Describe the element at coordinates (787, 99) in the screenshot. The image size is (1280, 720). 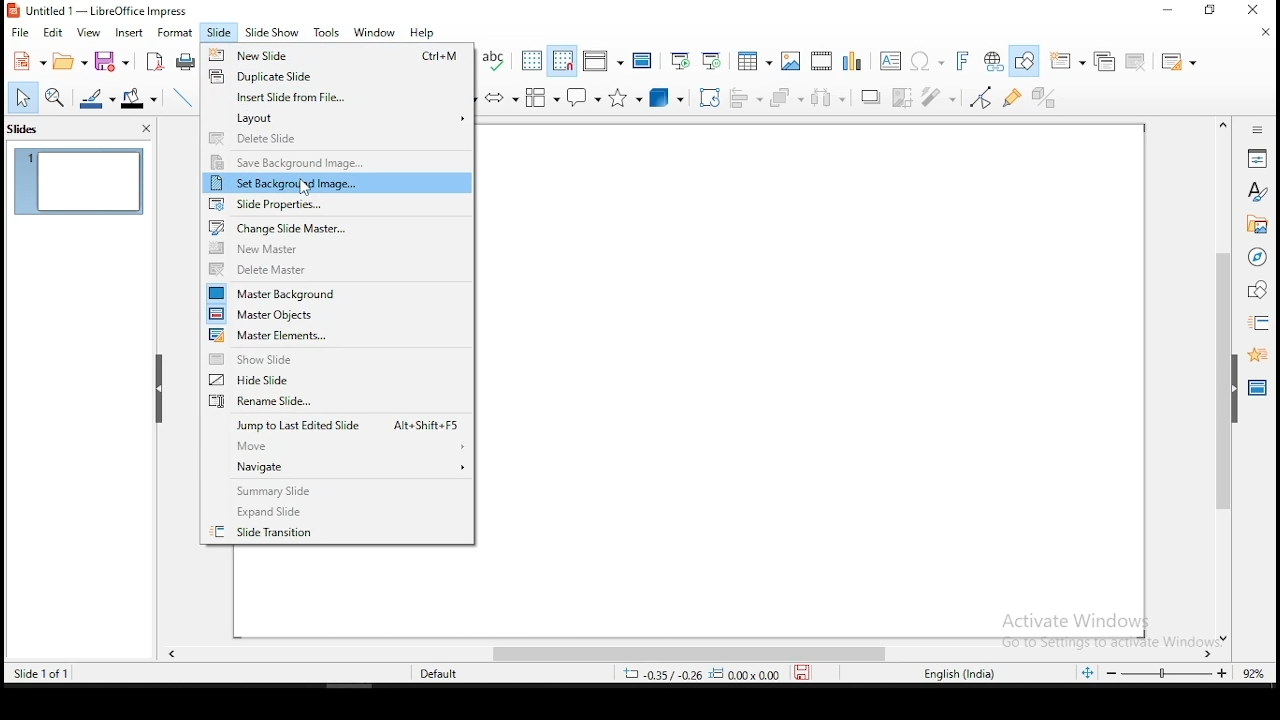
I see `arrange` at that location.